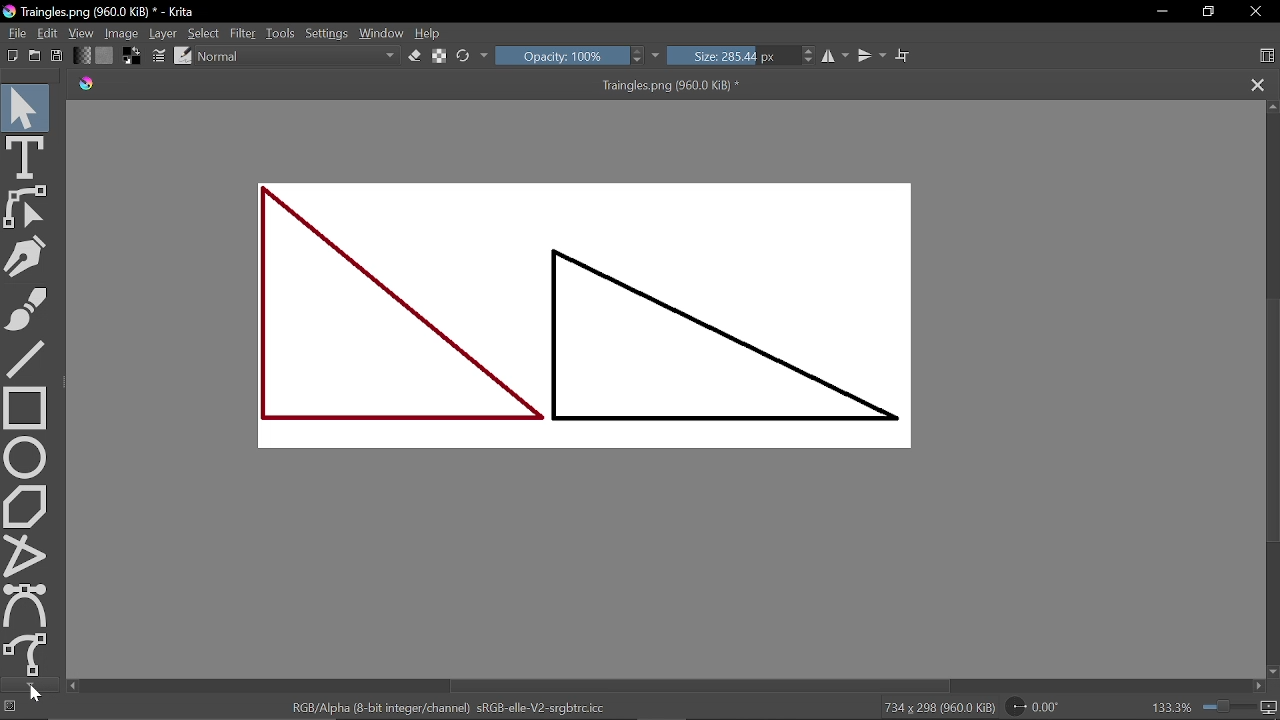 This screenshot has height=720, width=1280. What do you see at coordinates (383, 31) in the screenshot?
I see `Window` at bounding box center [383, 31].